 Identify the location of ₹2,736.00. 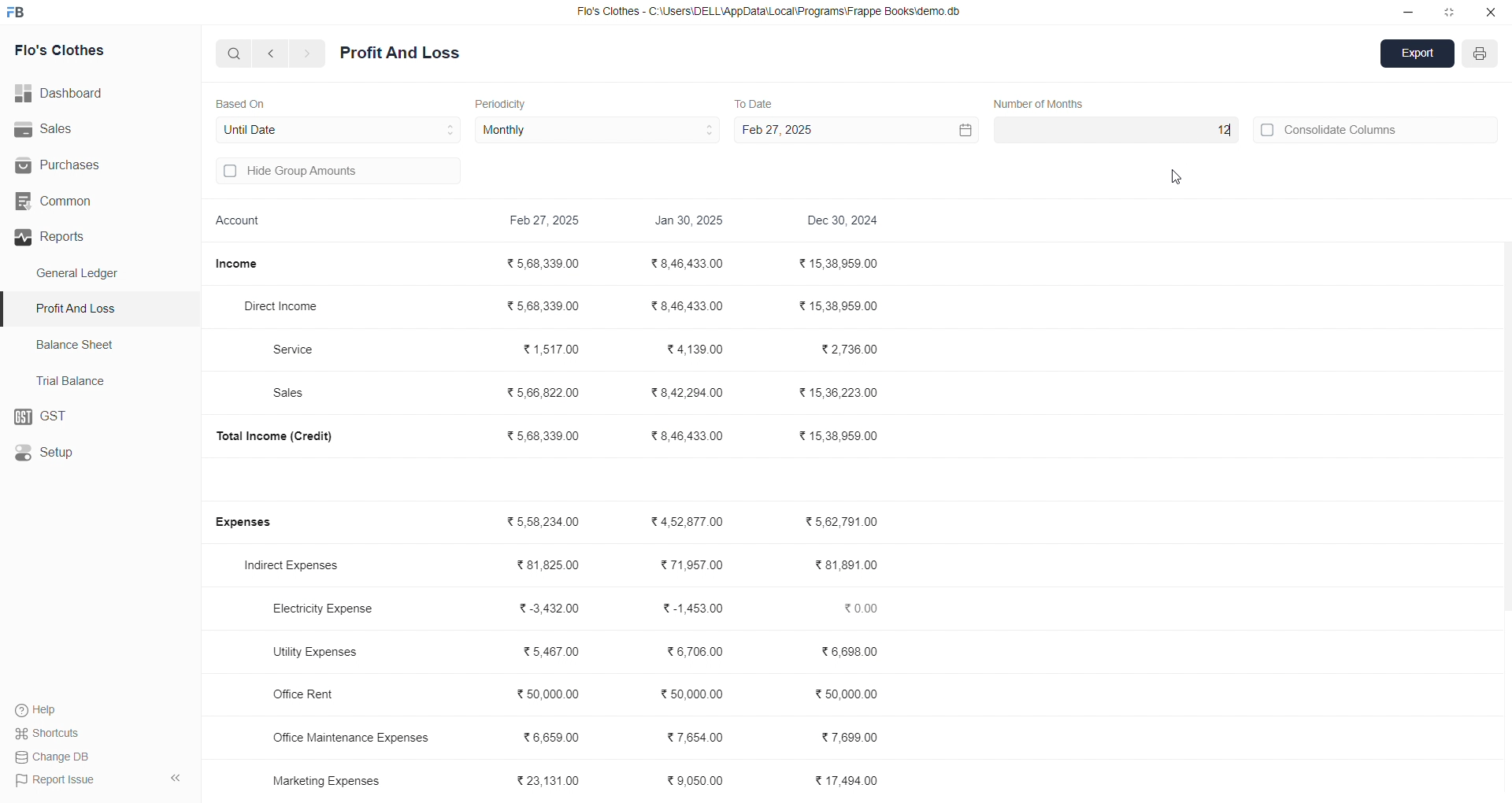
(851, 350).